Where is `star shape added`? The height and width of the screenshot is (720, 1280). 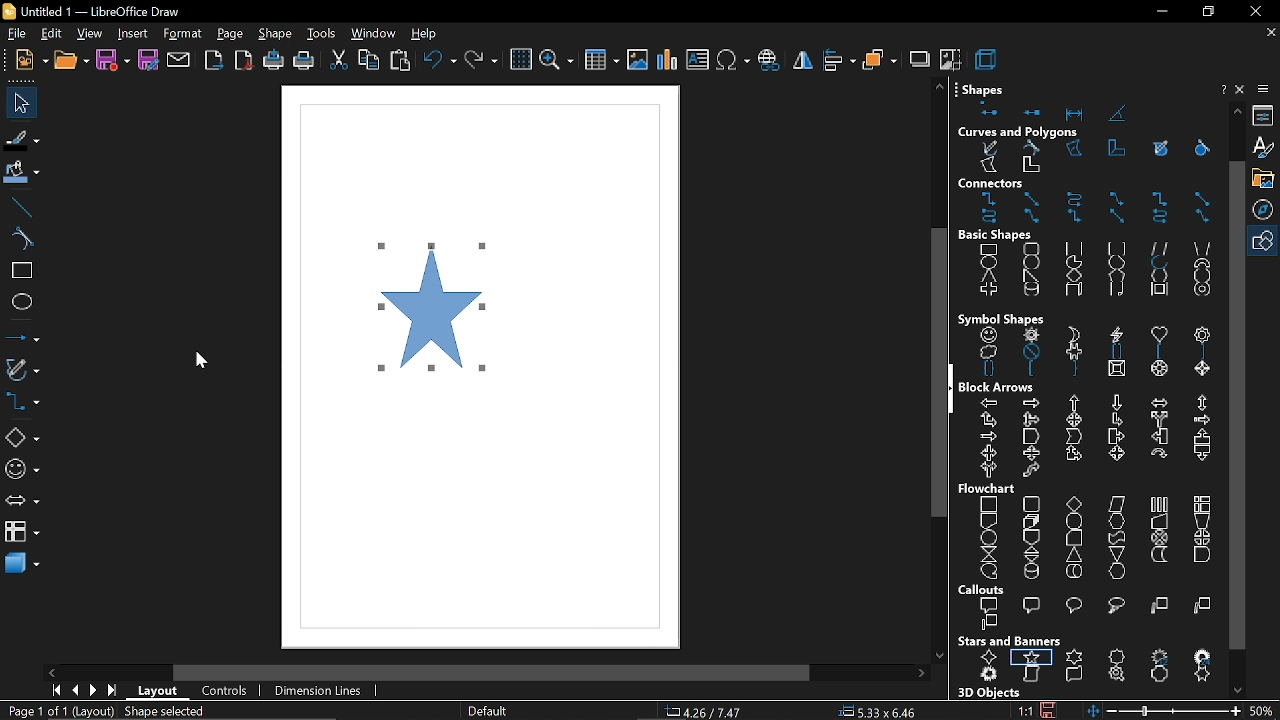 star shape added is located at coordinates (424, 302).